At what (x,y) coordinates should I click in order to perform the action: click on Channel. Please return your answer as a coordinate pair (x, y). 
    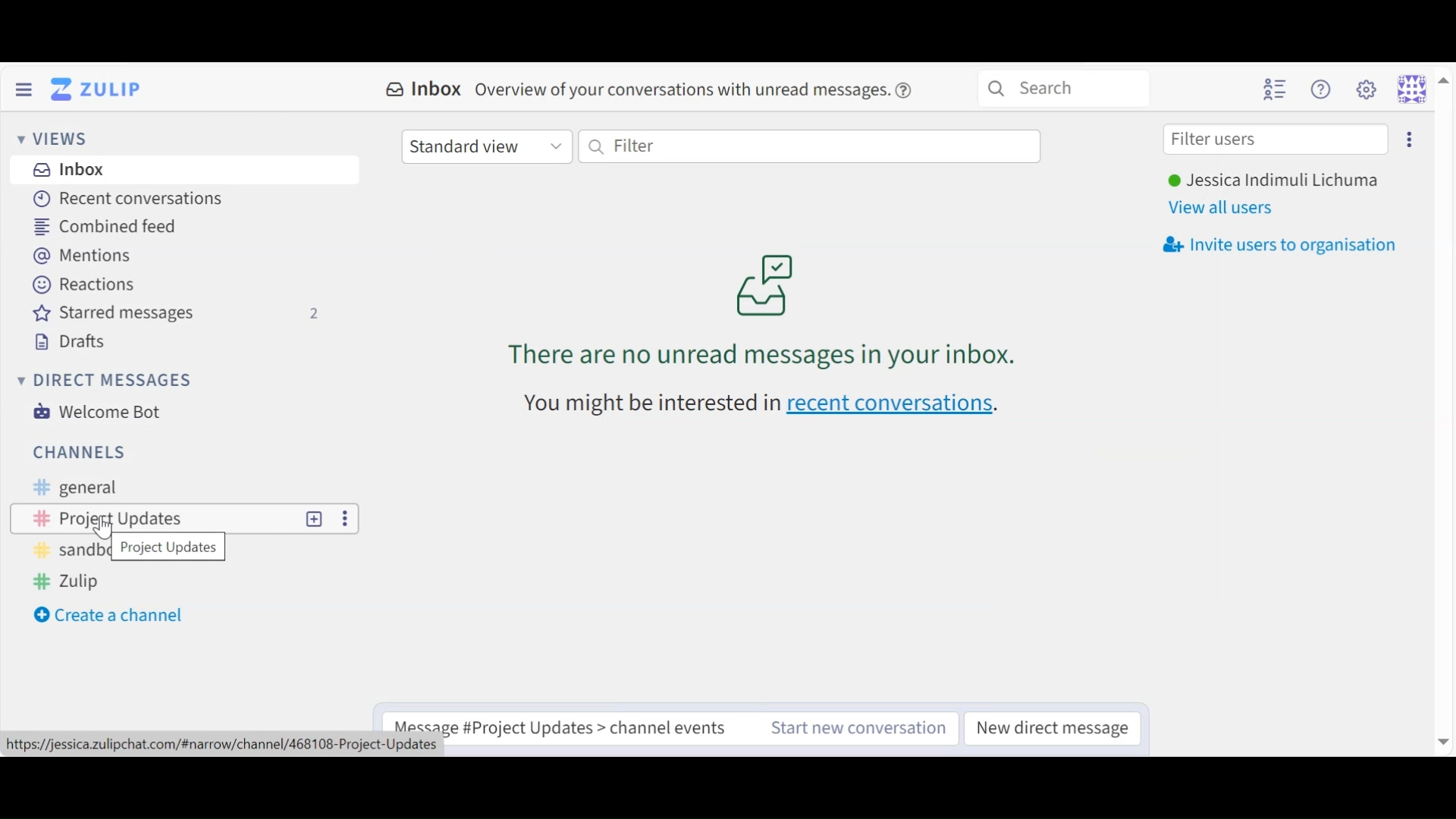
    Looking at the image, I should click on (80, 451).